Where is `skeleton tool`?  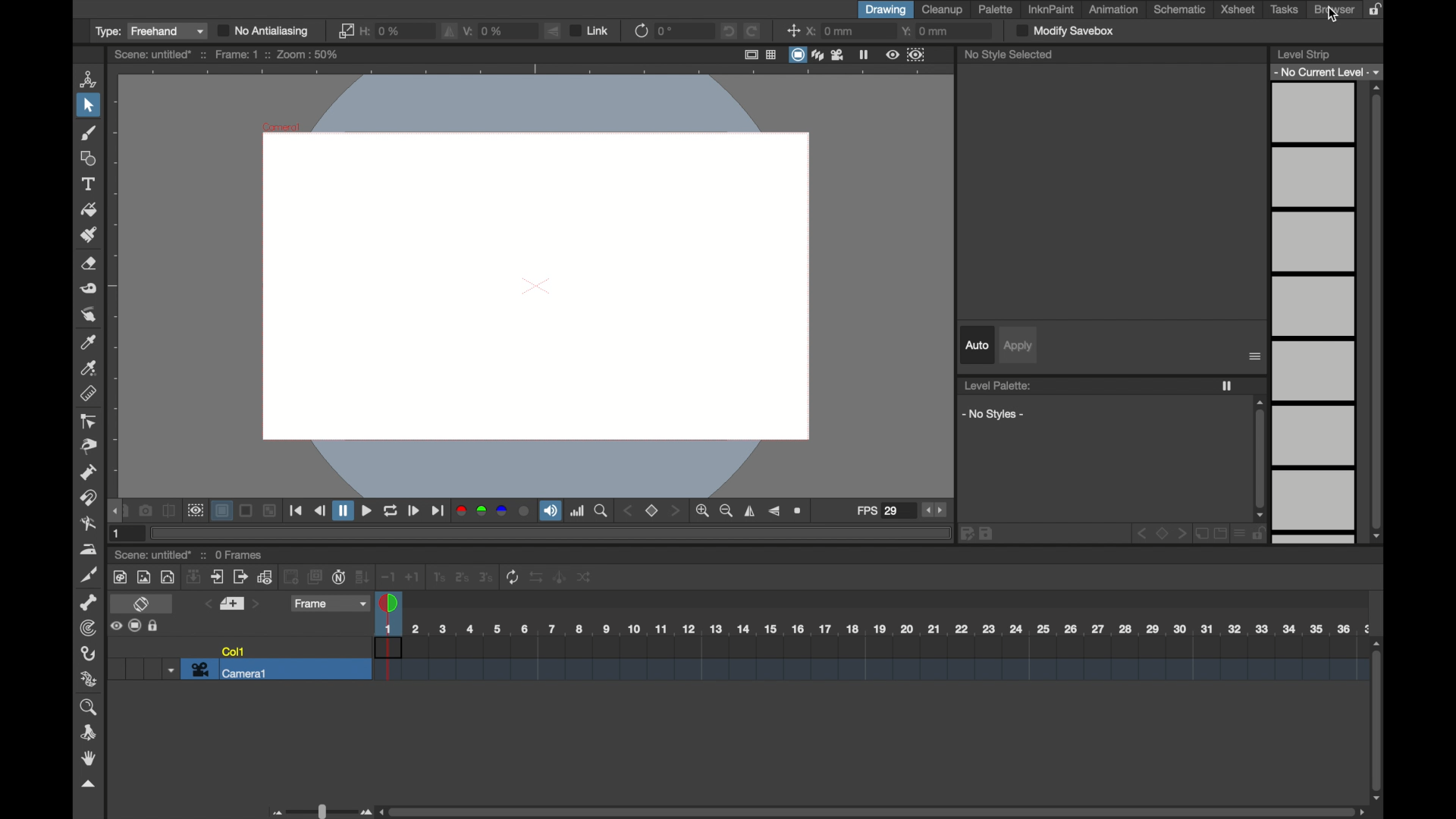
skeleton tool is located at coordinates (88, 601).